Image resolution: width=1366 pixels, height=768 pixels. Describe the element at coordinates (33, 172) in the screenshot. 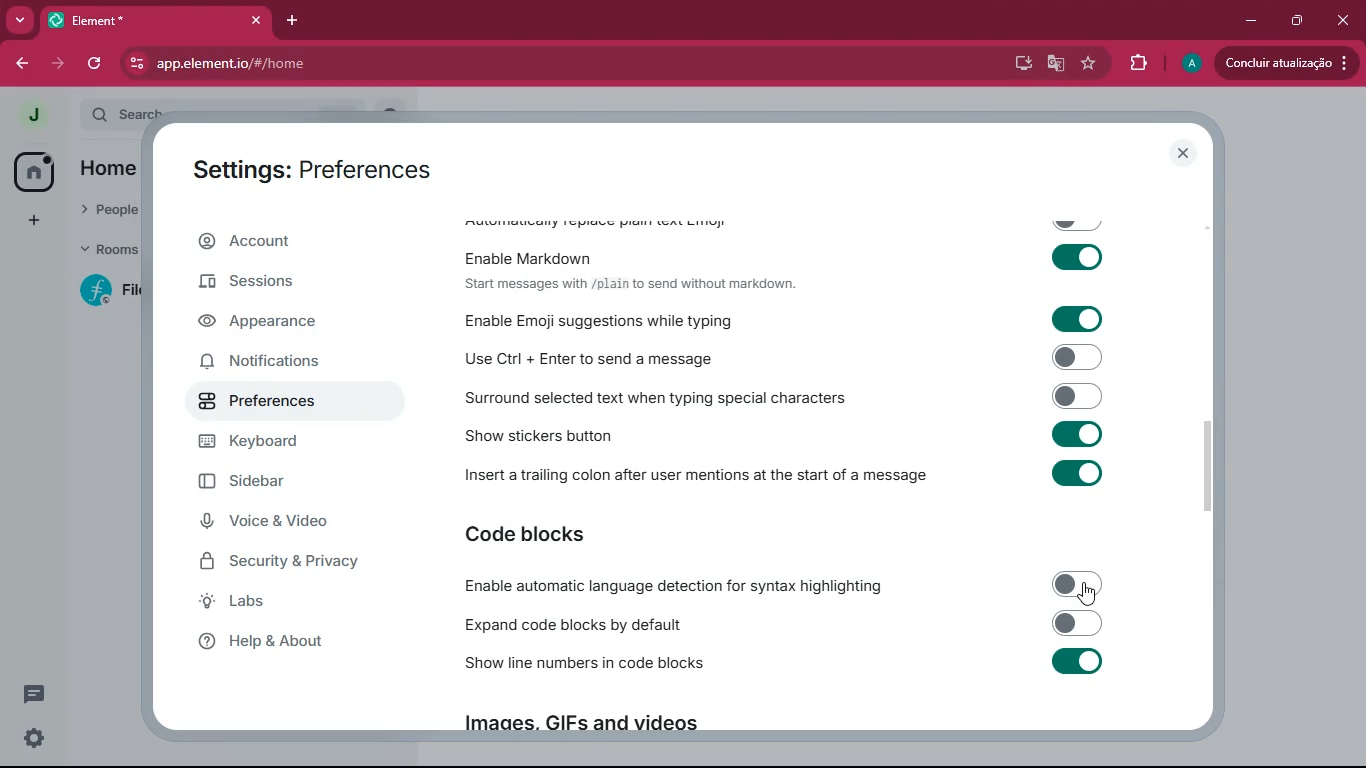

I see `home` at that location.